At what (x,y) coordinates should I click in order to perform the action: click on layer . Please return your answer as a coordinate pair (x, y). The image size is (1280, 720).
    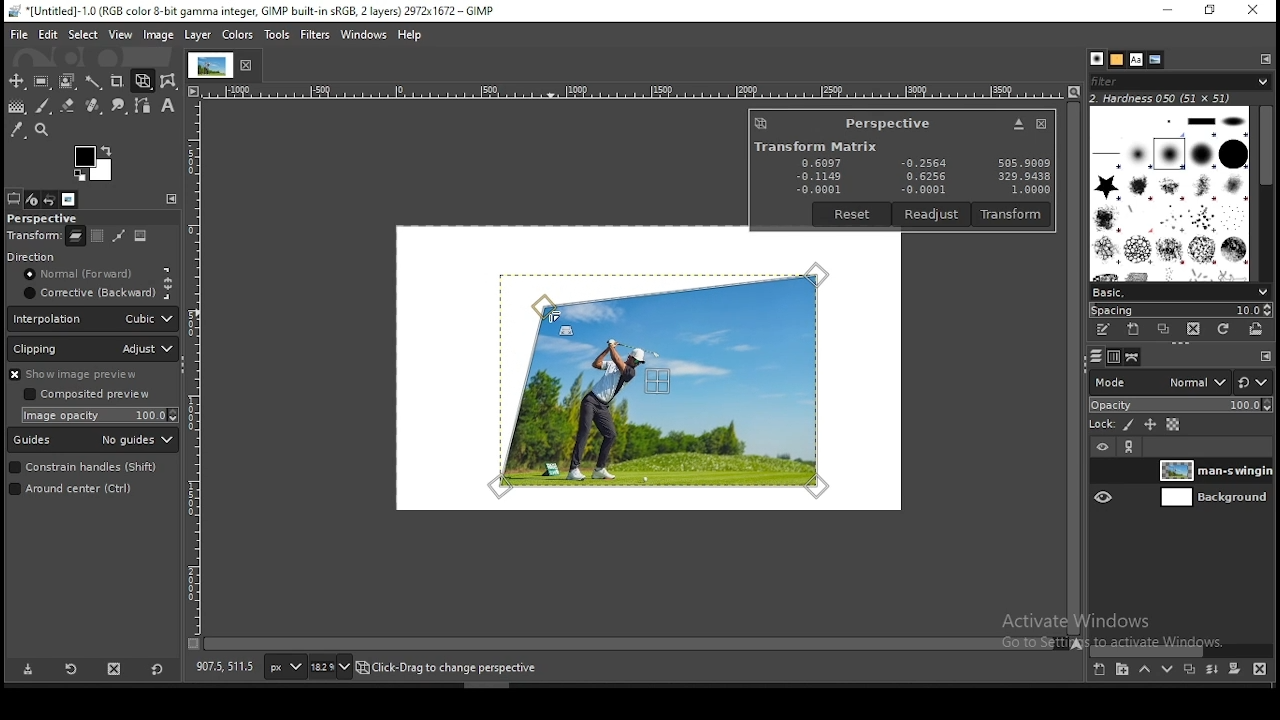
    Looking at the image, I should click on (1212, 498).